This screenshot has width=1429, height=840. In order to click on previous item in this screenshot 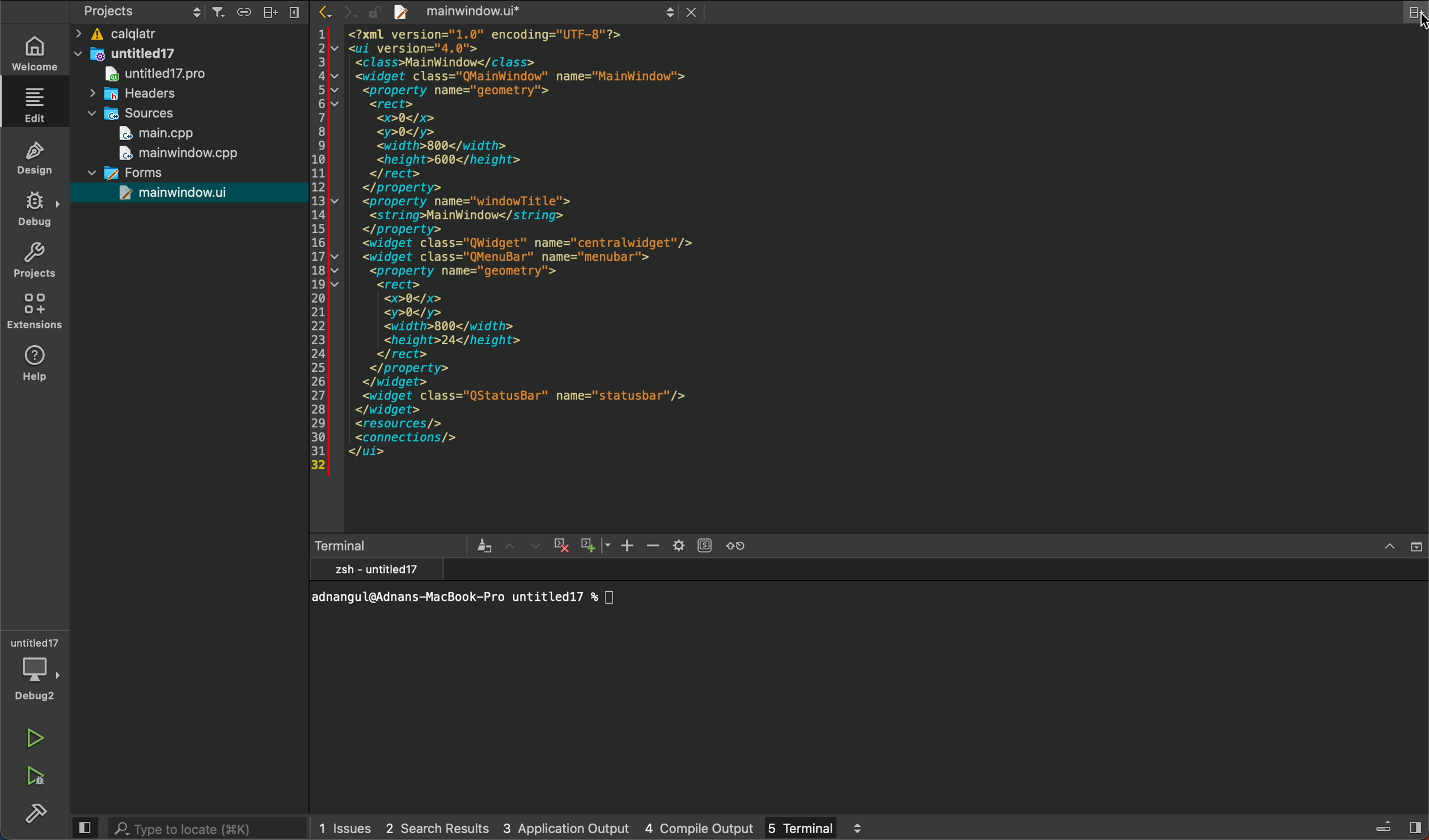, I will do `click(513, 546)`.